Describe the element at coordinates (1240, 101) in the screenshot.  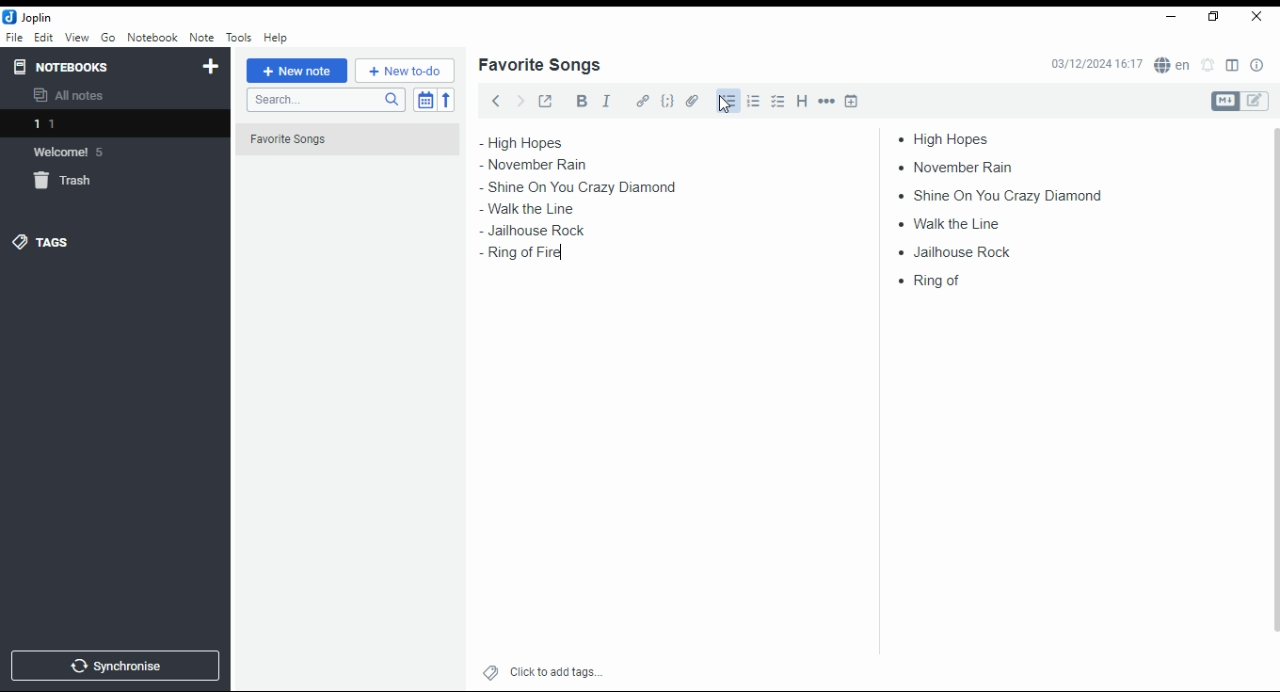
I see `toggle editors` at that location.